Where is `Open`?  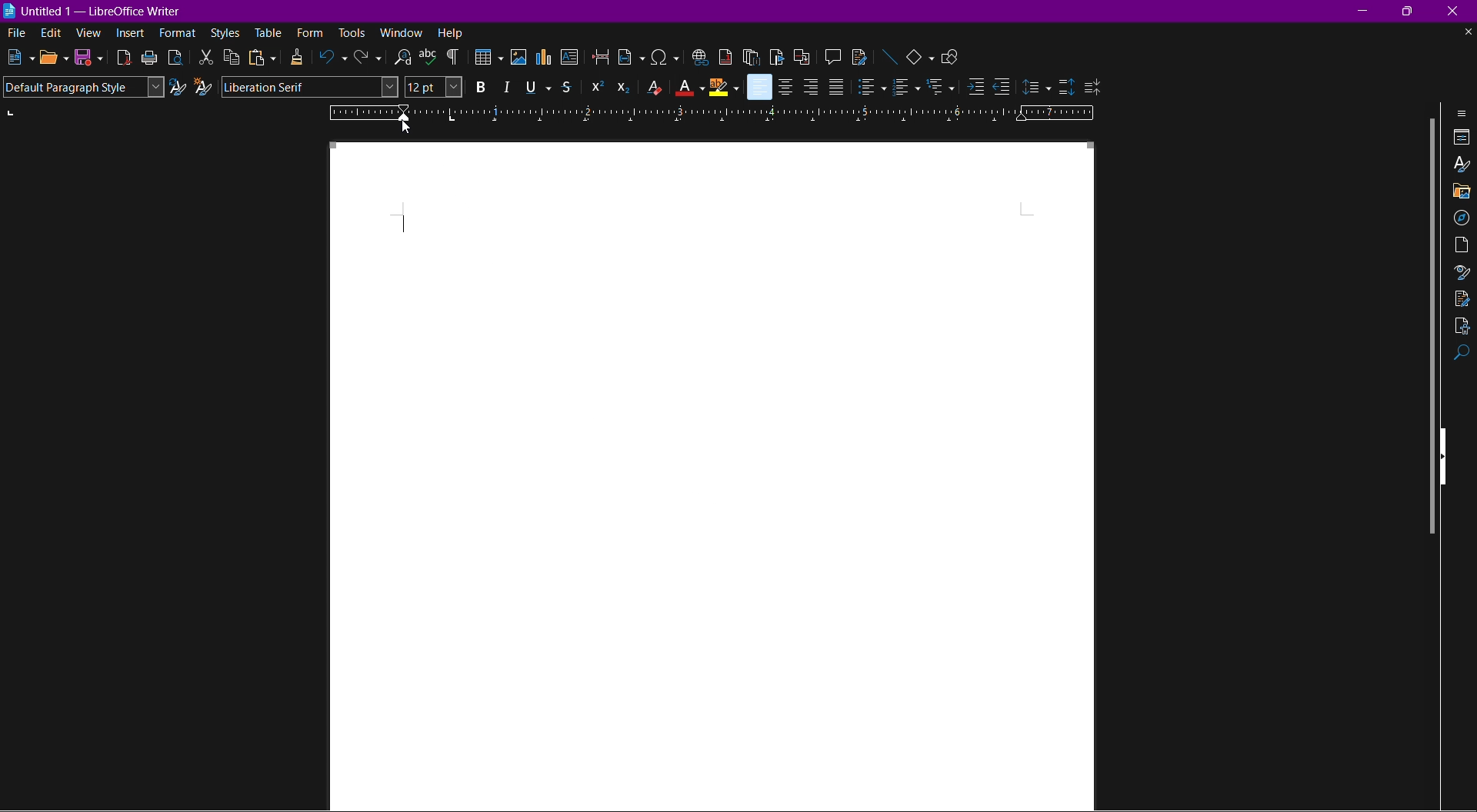 Open is located at coordinates (54, 58).